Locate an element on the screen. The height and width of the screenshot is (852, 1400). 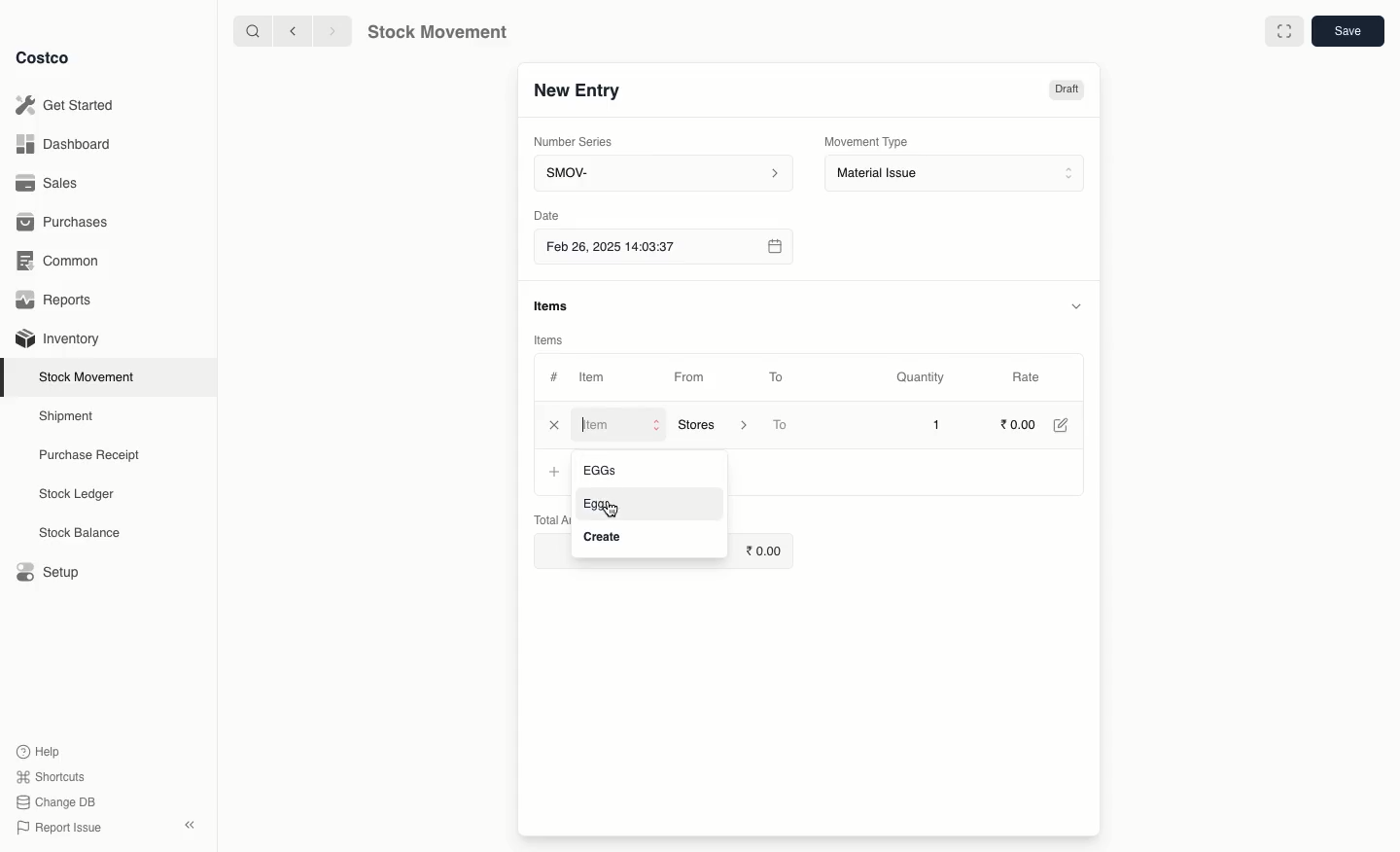
Full width toggle is located at coordinates (1285, 31).